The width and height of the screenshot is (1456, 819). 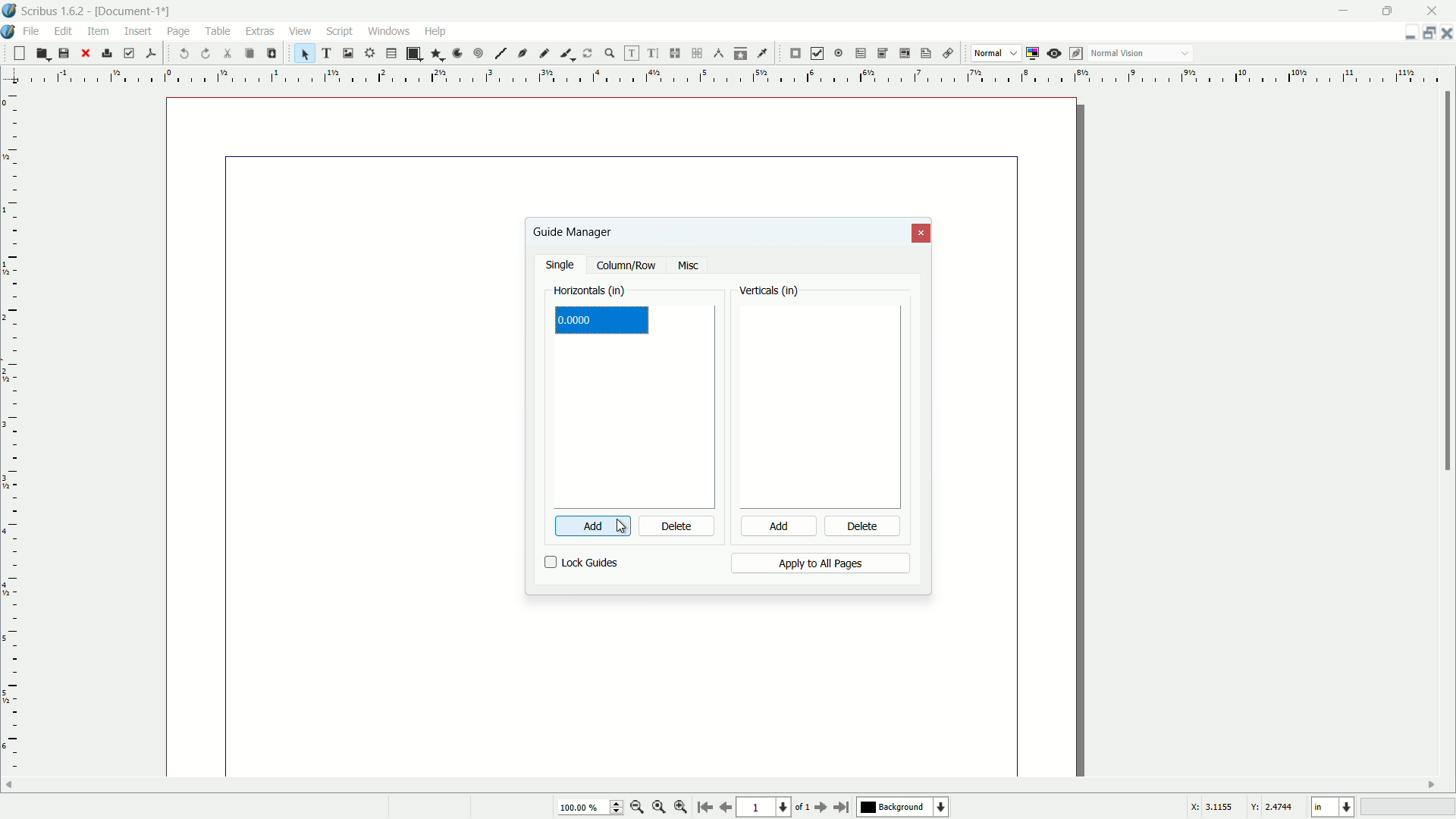 I want to click on document name, so click(x=136, y=11).